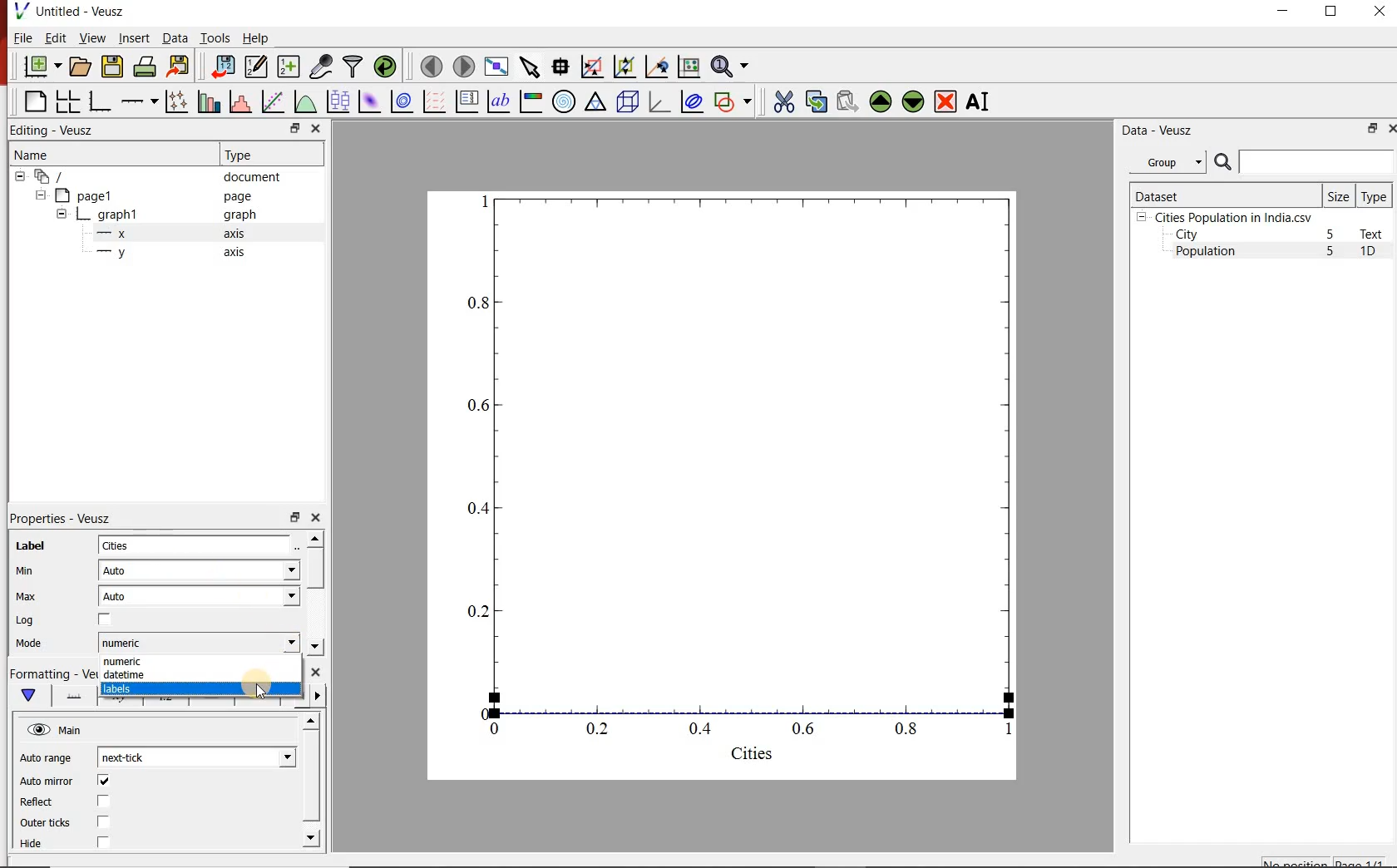 The width and height of the screenshot is (1397, 868). I want to click on Auto, so click(199, 596).